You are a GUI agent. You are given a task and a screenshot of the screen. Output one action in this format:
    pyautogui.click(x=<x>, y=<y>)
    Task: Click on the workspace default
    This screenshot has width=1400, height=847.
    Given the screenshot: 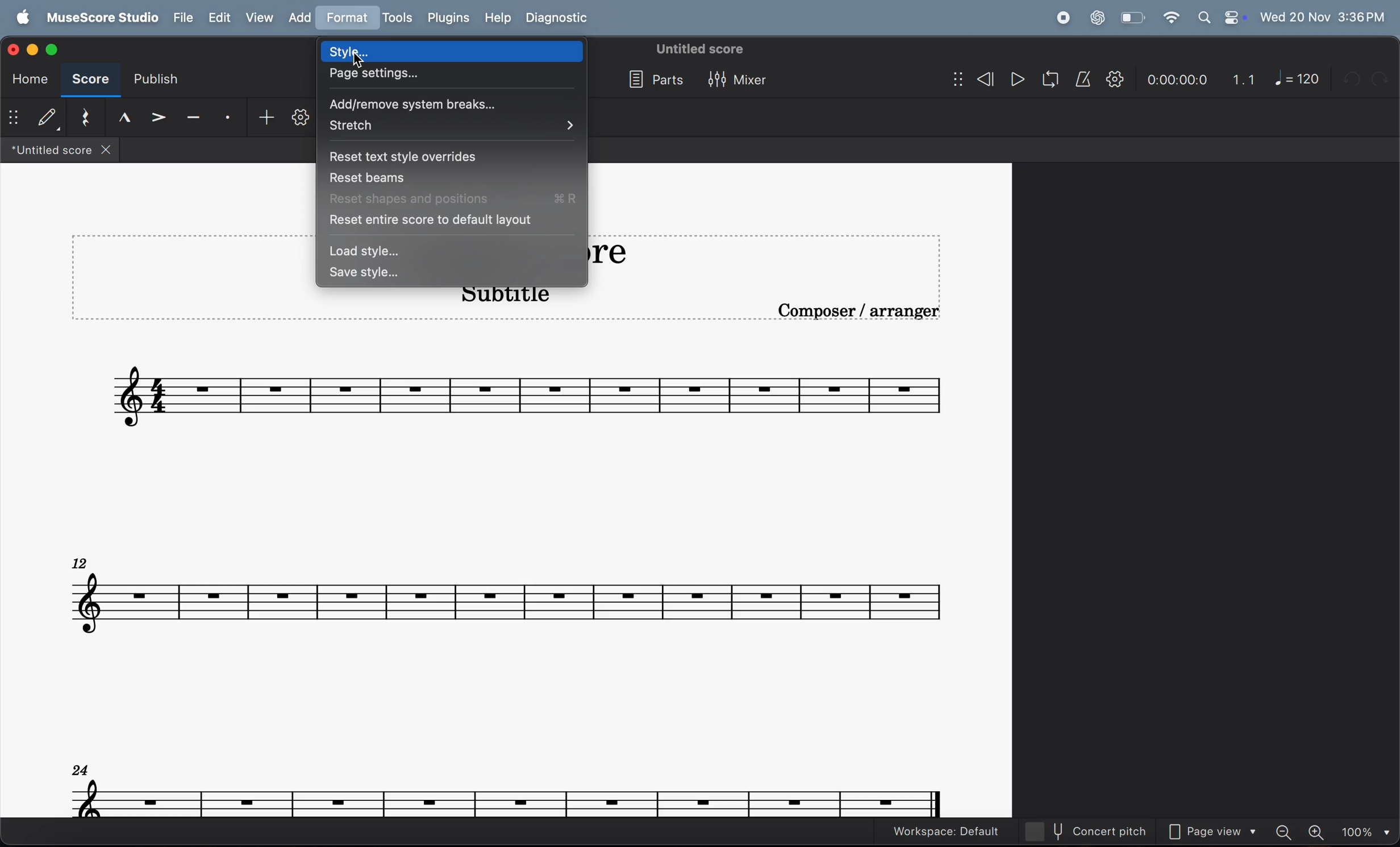 What is the action you would take?
    pyautogui.click(x=945, y=832)
    